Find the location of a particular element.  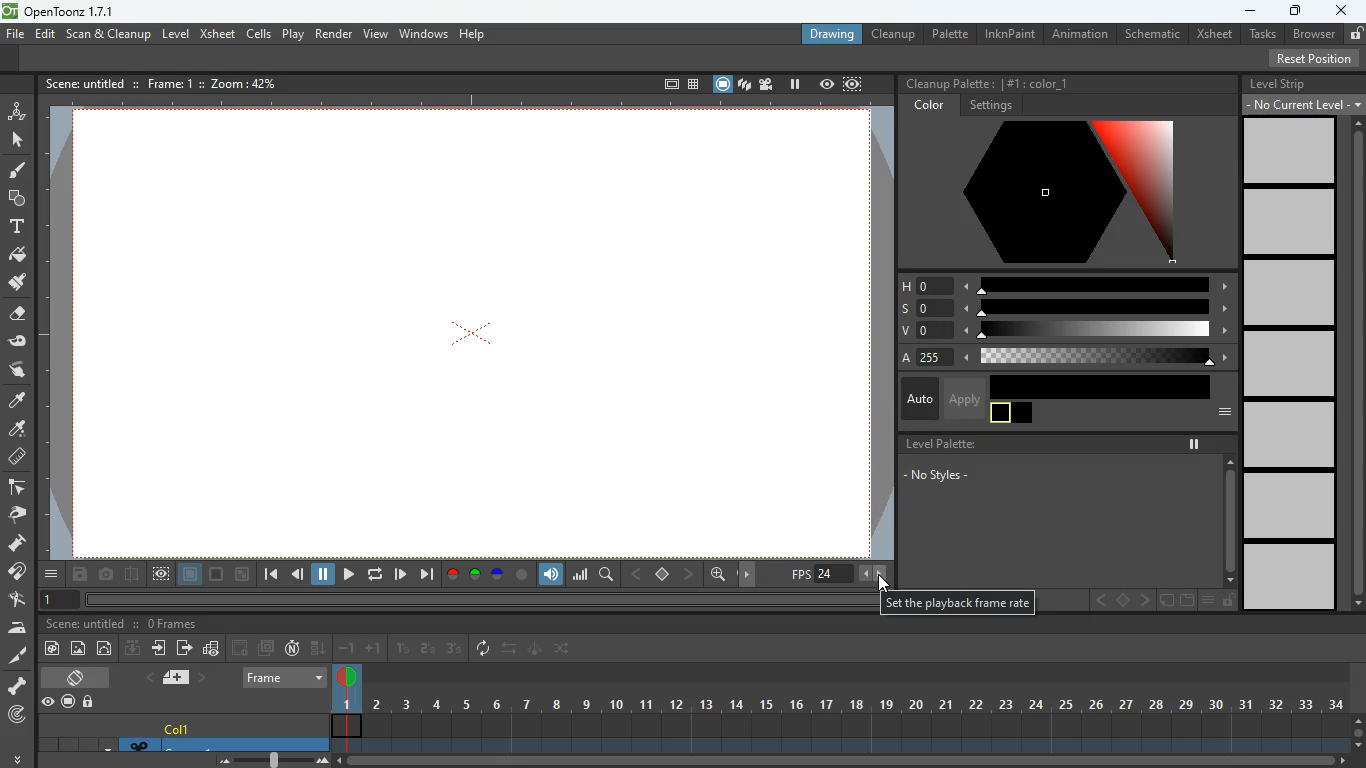

forward is located at coordinates (238, 648).